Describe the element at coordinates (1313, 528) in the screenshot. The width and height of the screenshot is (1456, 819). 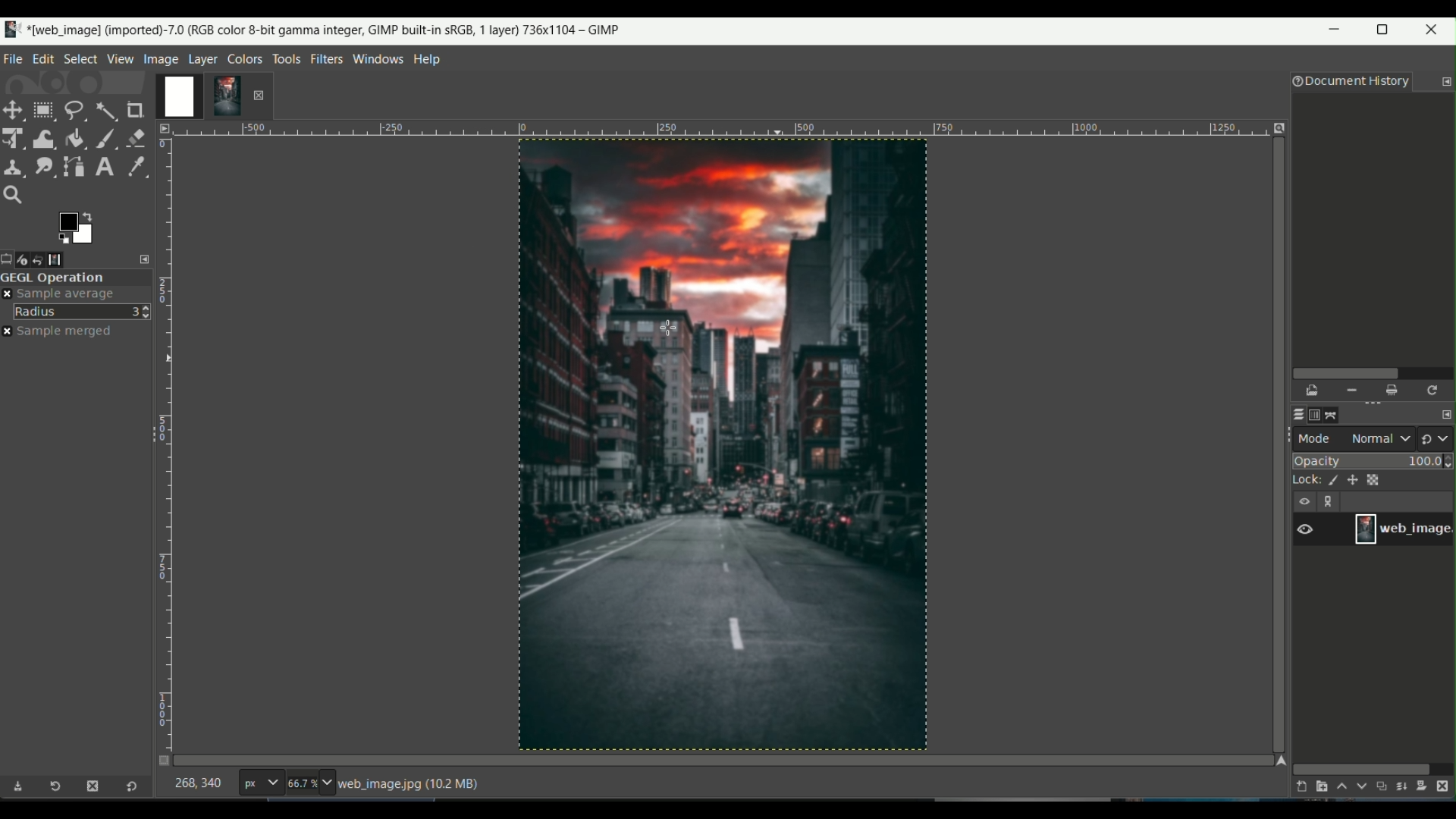
I see `layer attribute` at that location.